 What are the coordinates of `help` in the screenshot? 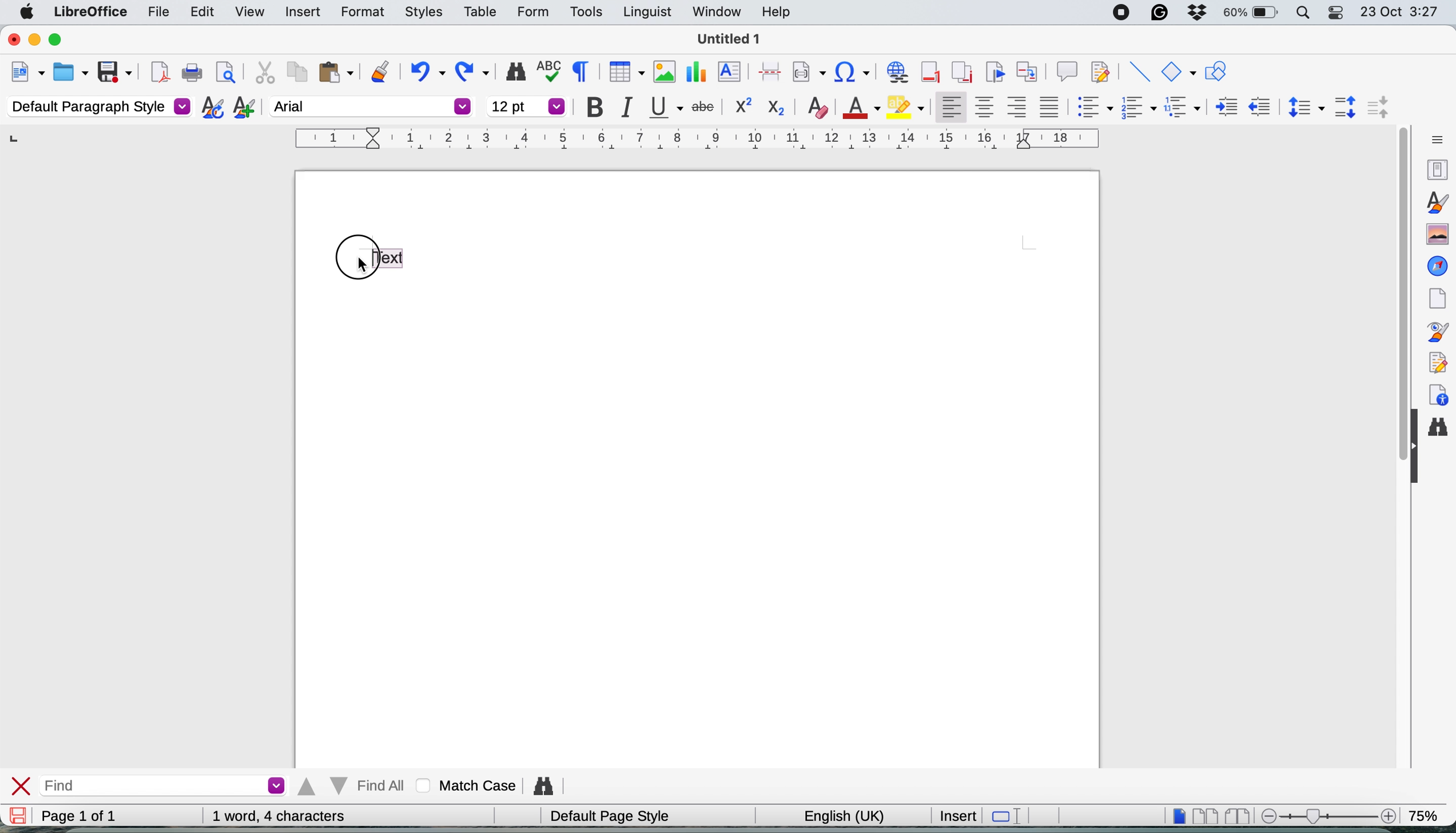 It's located at (776, 13).